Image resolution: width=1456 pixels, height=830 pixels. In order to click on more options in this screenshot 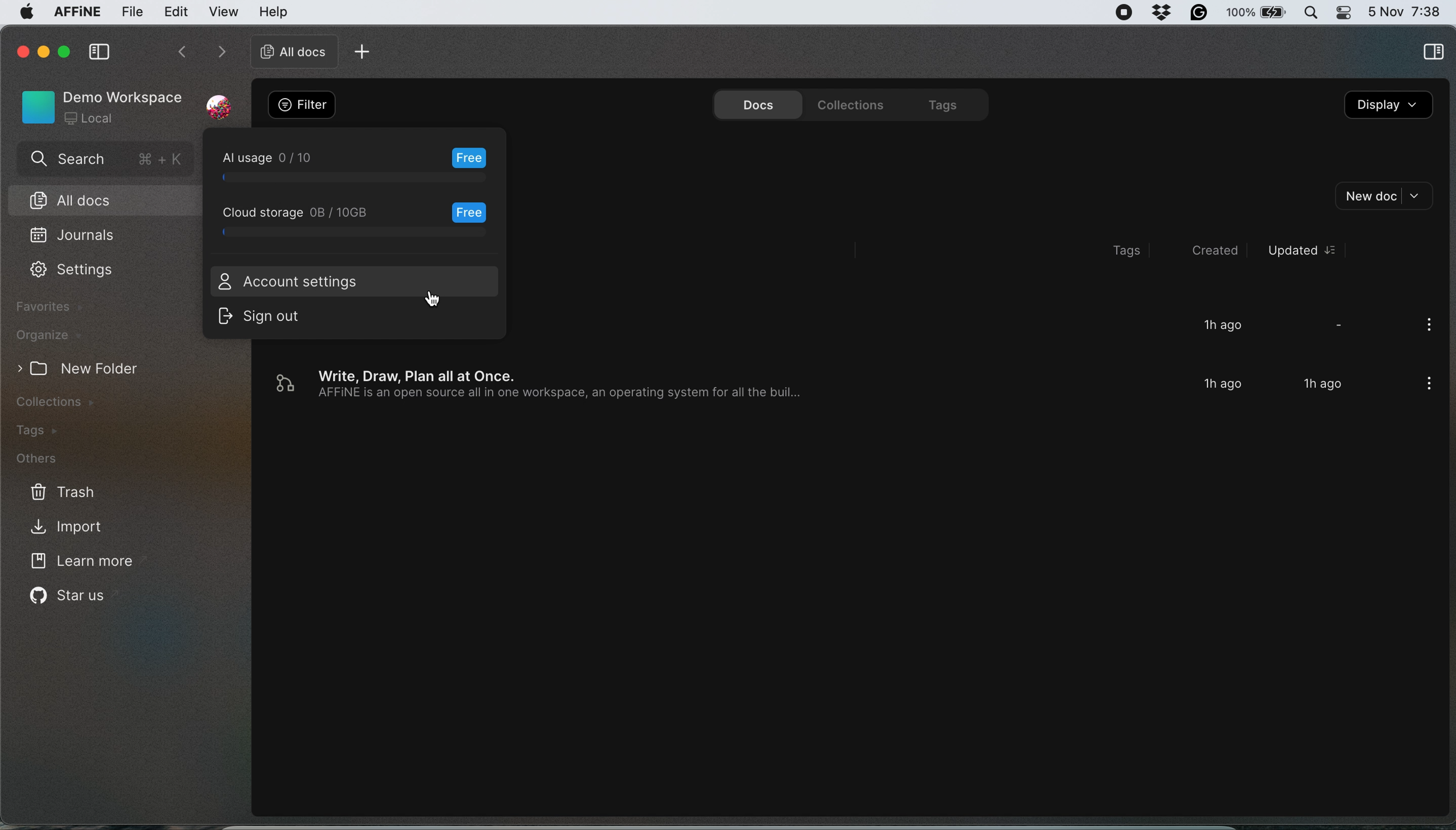, I will do `click(1425, 385)`.